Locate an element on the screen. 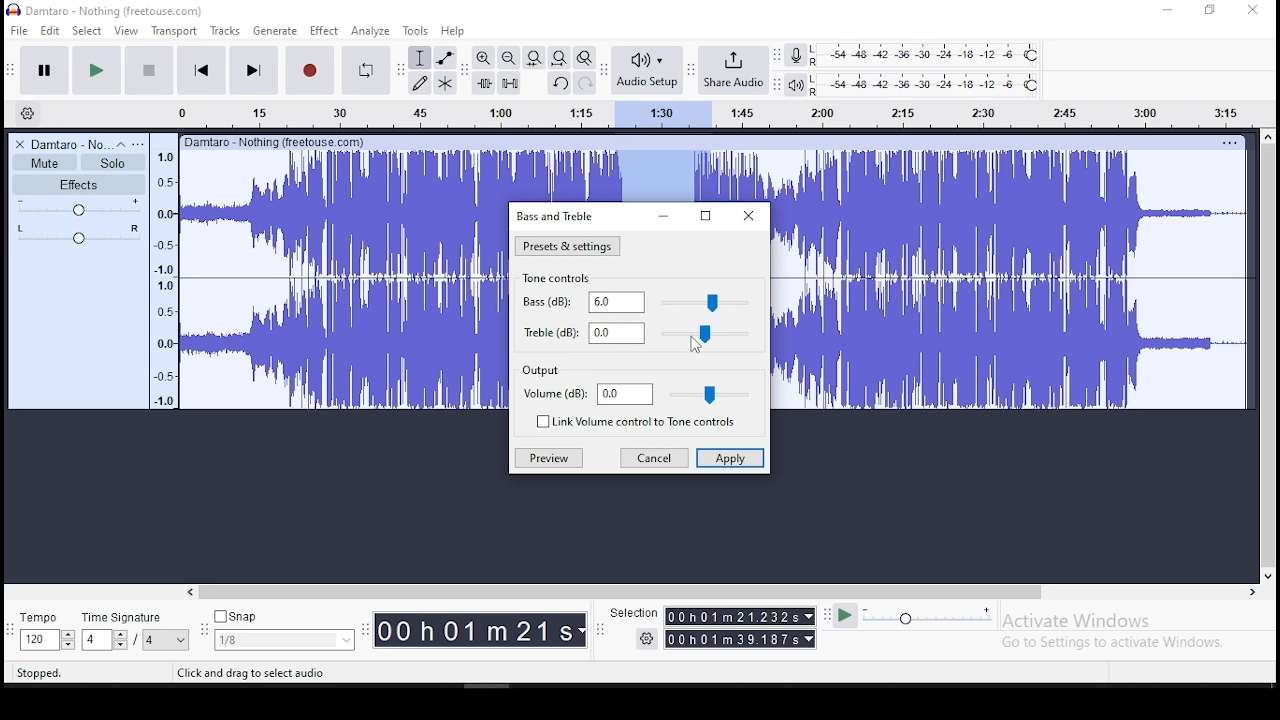  control is located at coordinates (707, 303).